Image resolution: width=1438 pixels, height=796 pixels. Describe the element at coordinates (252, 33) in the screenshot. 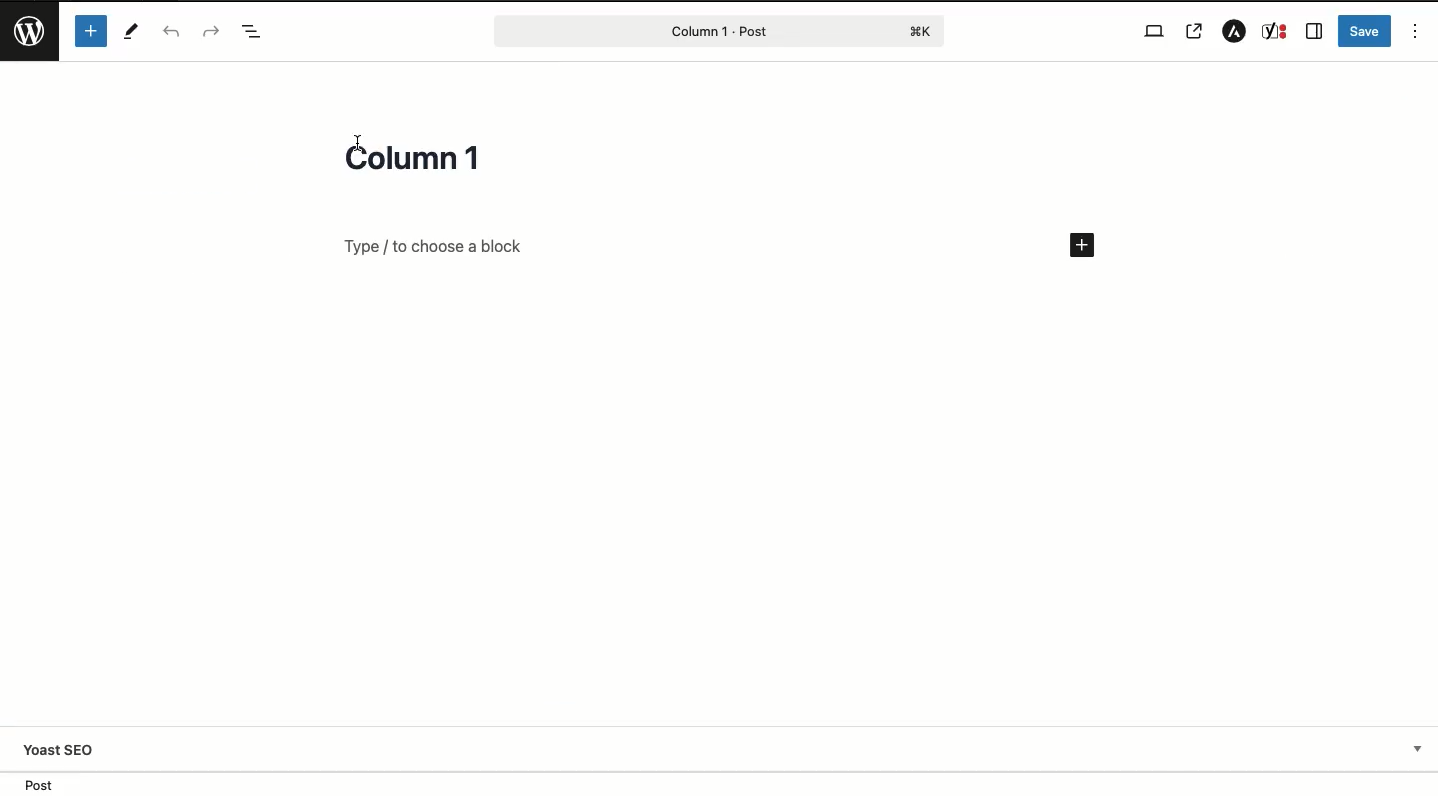

I see `Document overview` at that location.